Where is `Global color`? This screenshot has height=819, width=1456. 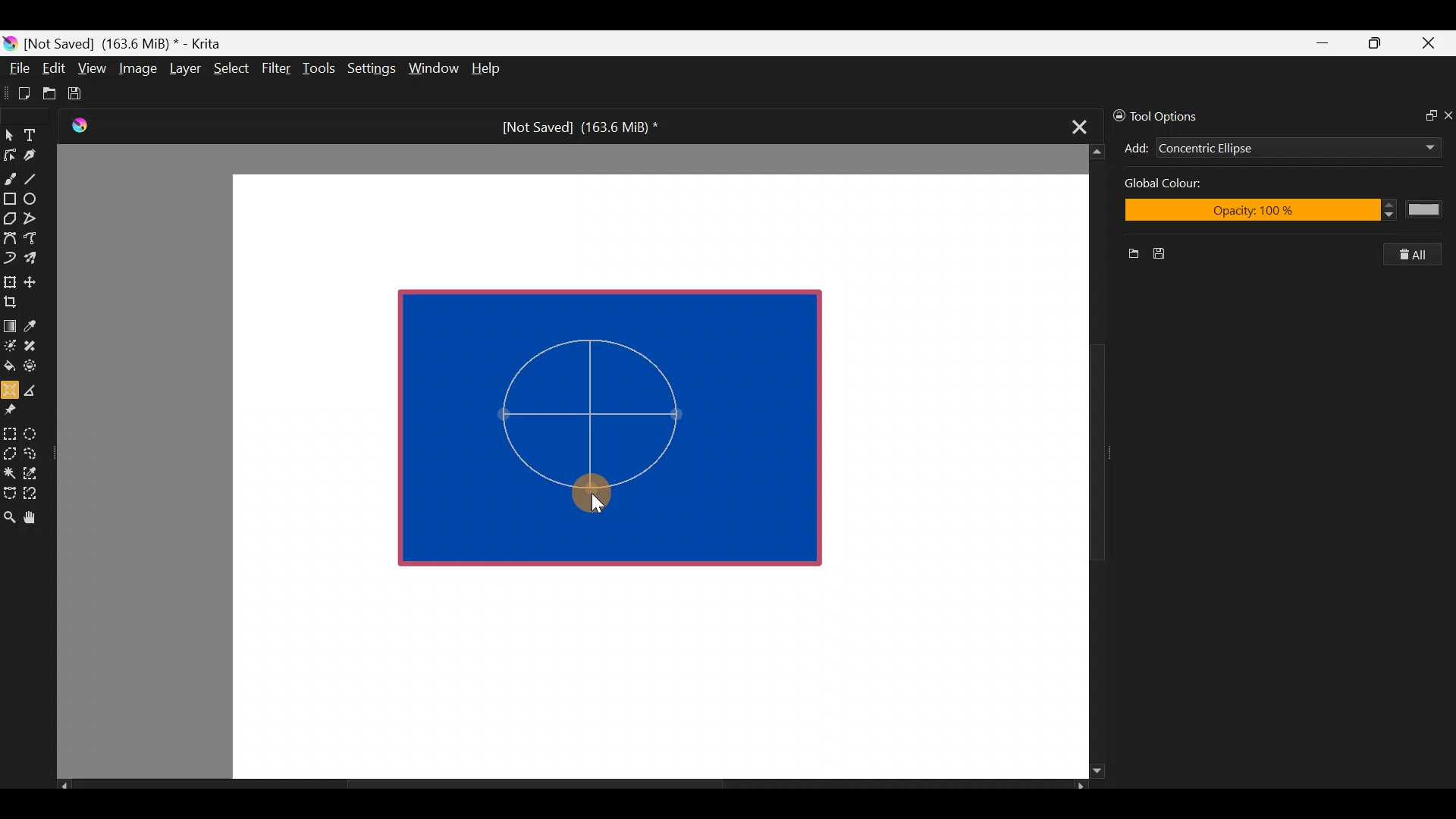 Global color is located at coordinates (1205, 185).